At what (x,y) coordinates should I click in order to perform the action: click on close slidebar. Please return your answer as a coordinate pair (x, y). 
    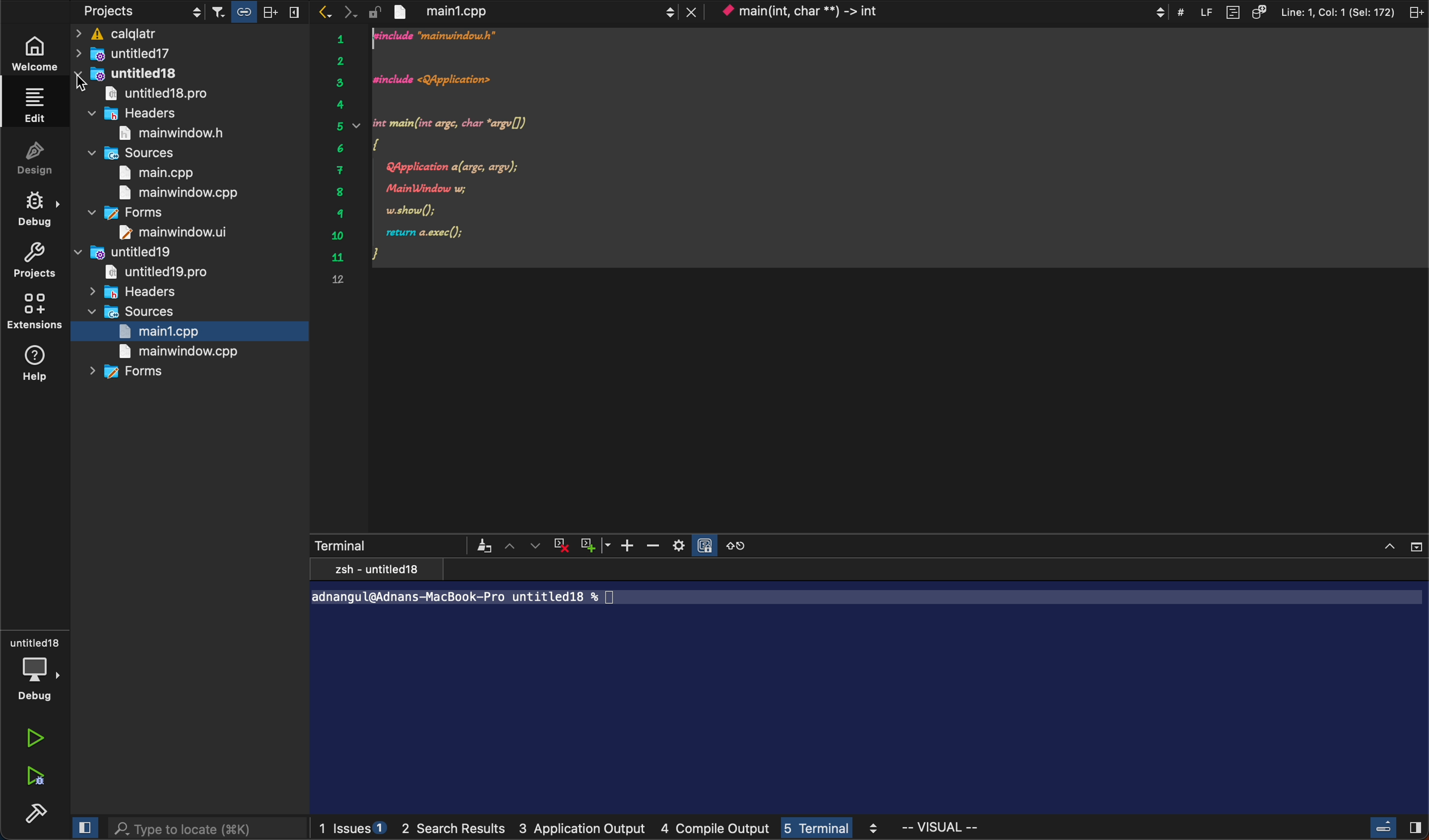
    Looking at the image, I should click on (85, 827).